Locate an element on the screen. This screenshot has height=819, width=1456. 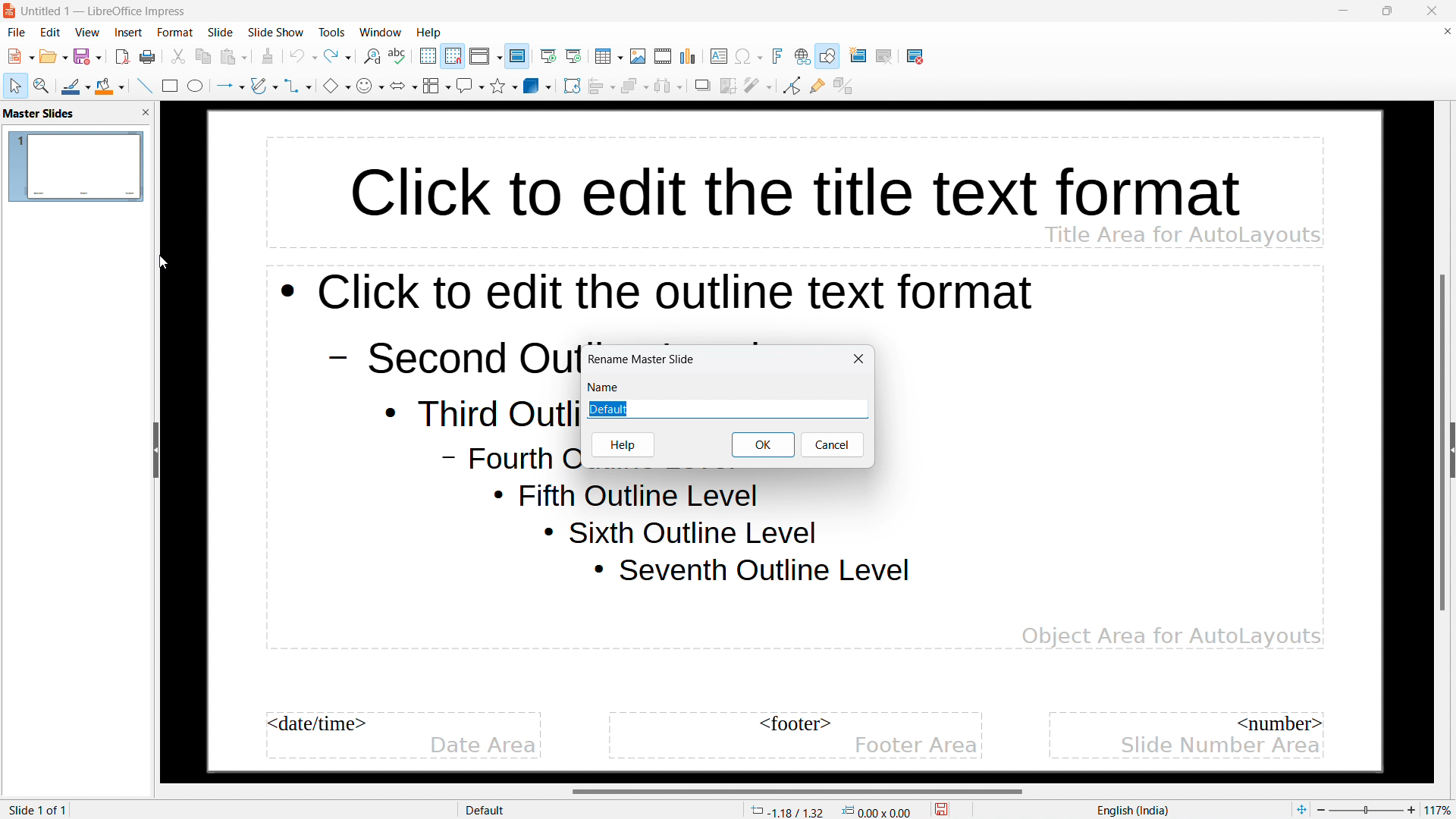
rectangle is located at coordinates (170, 86).